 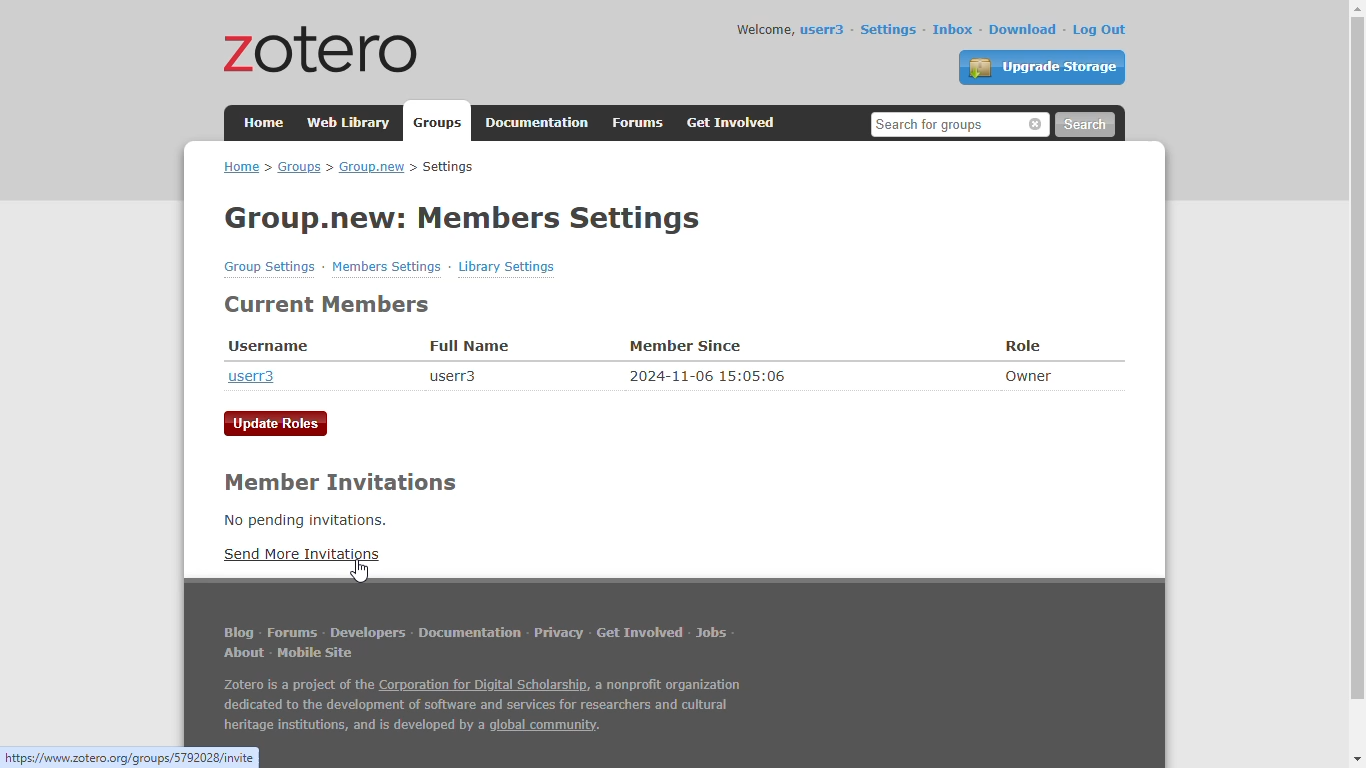 What do you see at coordinates (960, 124) in the screenshot?
I see `search for people` at bounding box center [960, 124].